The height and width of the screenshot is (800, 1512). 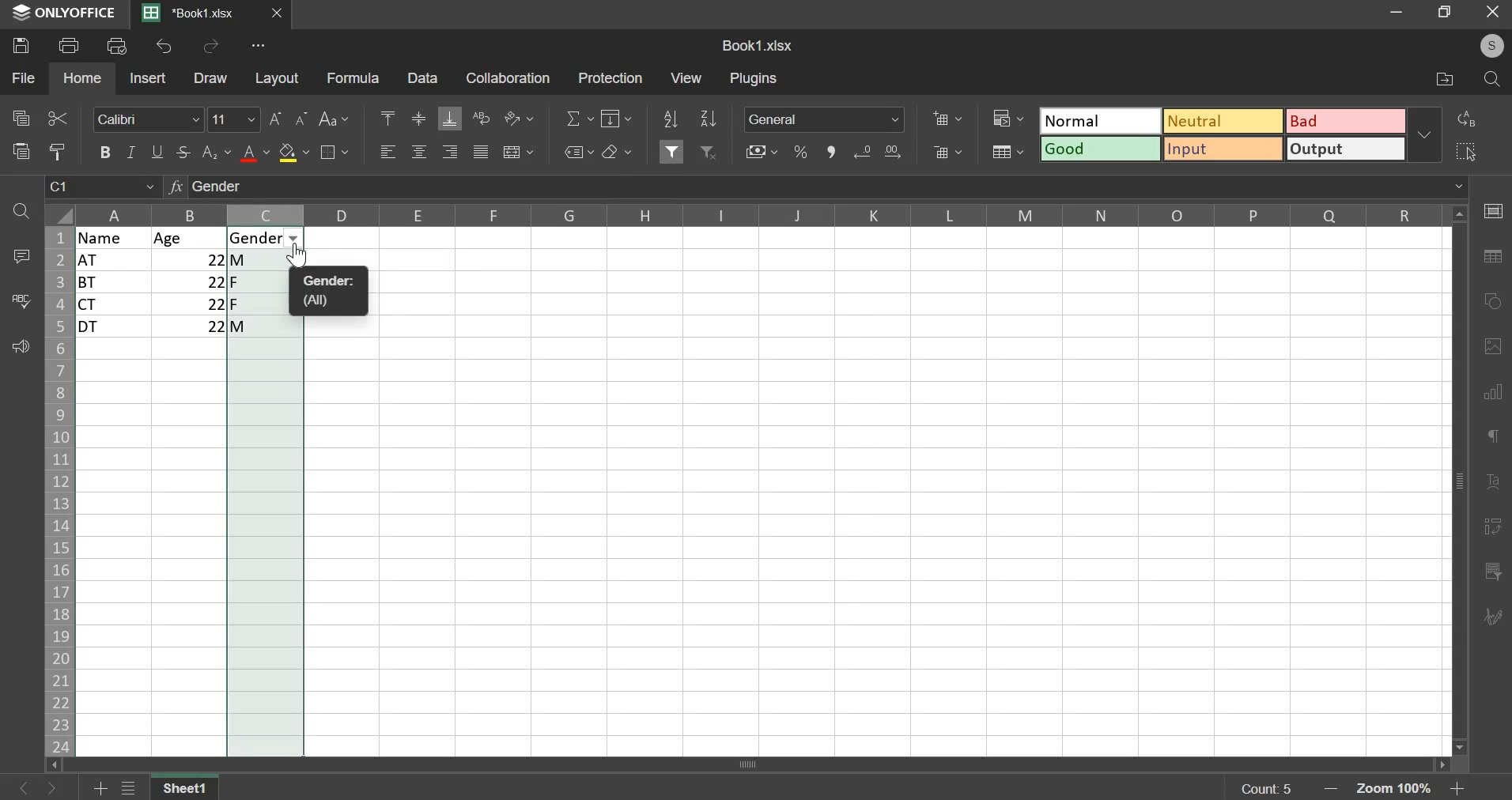 I want to click on sort, so click(x=669, y=119).